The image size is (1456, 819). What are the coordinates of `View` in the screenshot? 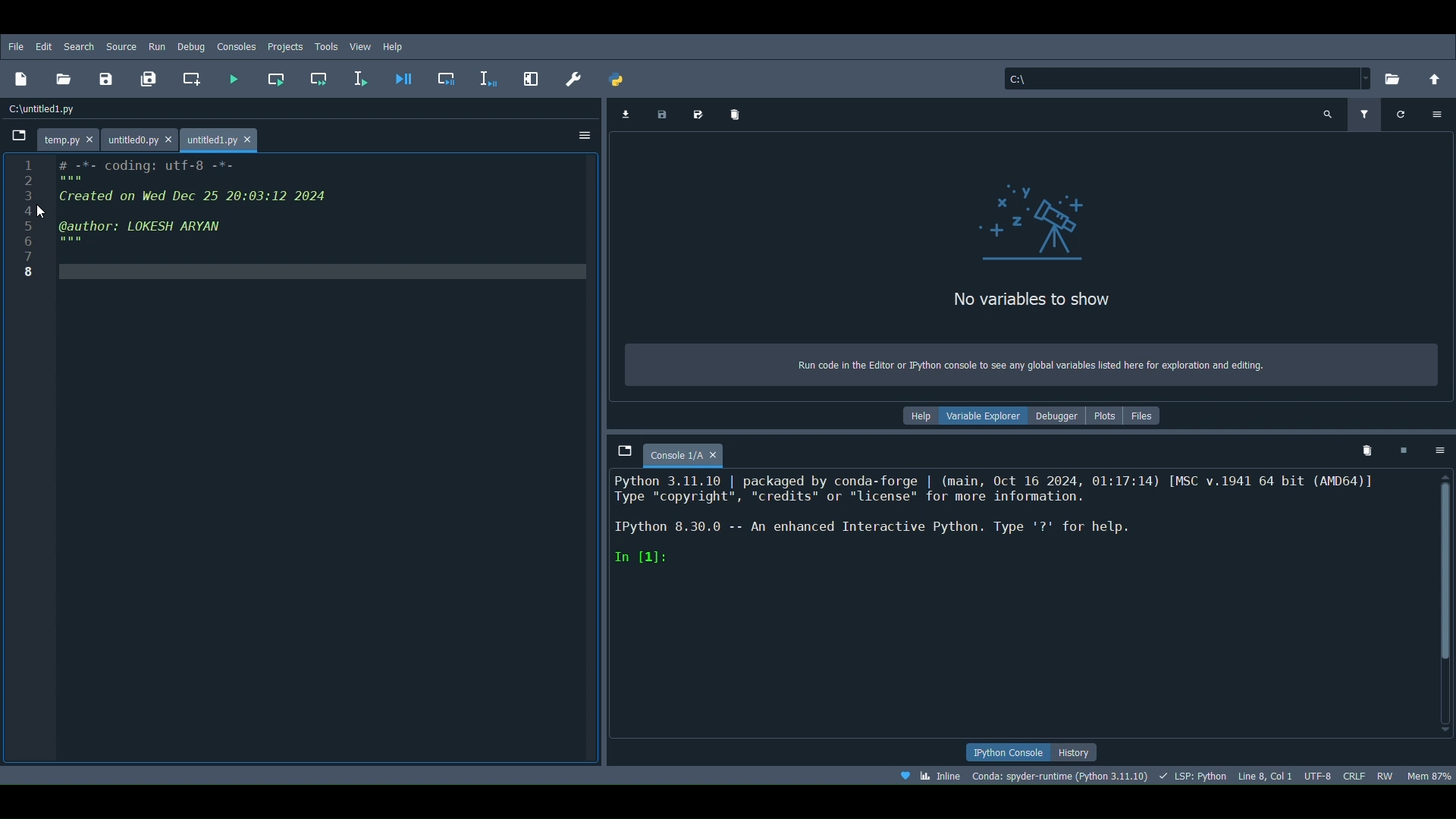 It's located at (362, 45).